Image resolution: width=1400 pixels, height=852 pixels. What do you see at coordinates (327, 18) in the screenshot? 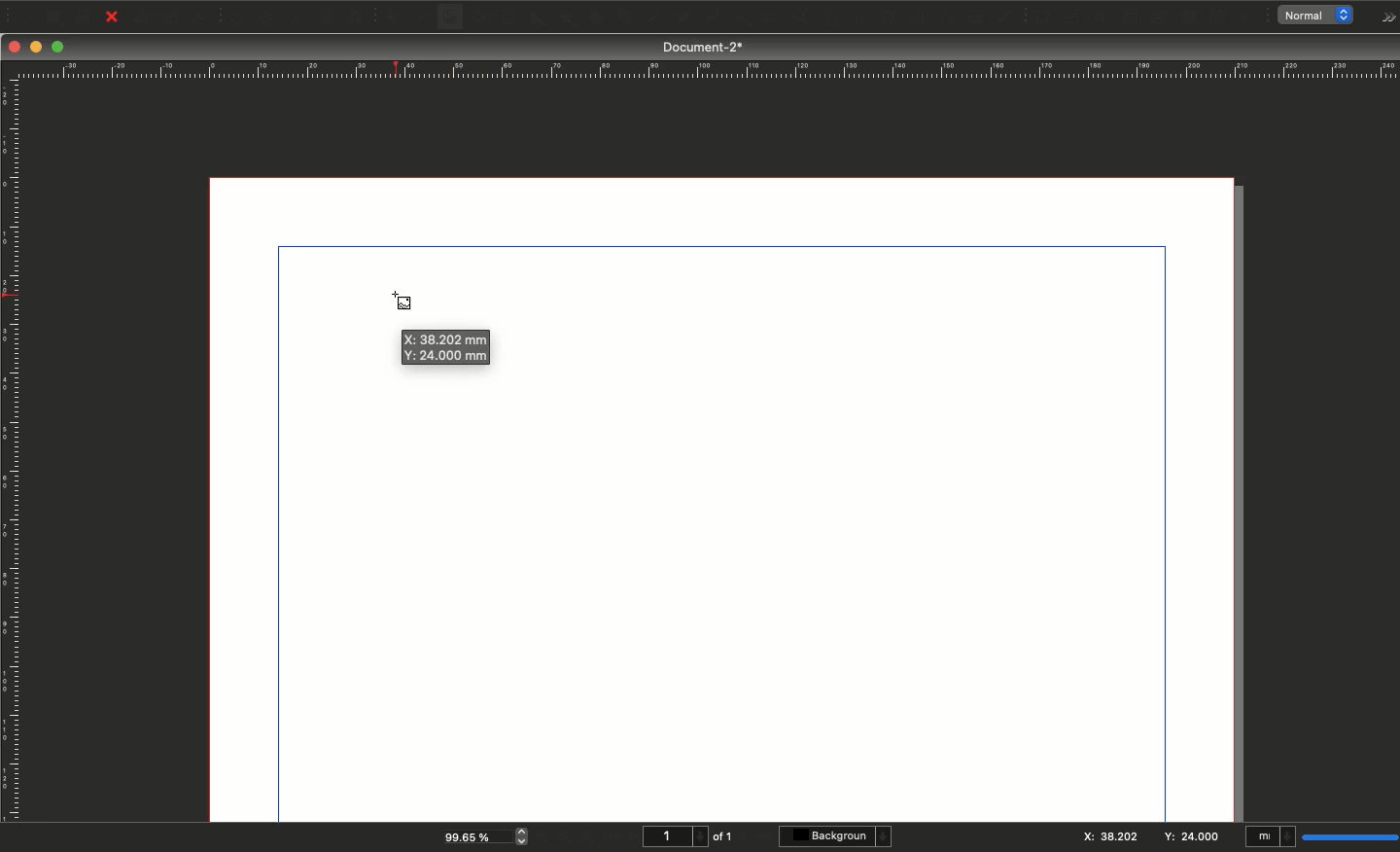
I see `Copy` at bounding box center [327, 18].